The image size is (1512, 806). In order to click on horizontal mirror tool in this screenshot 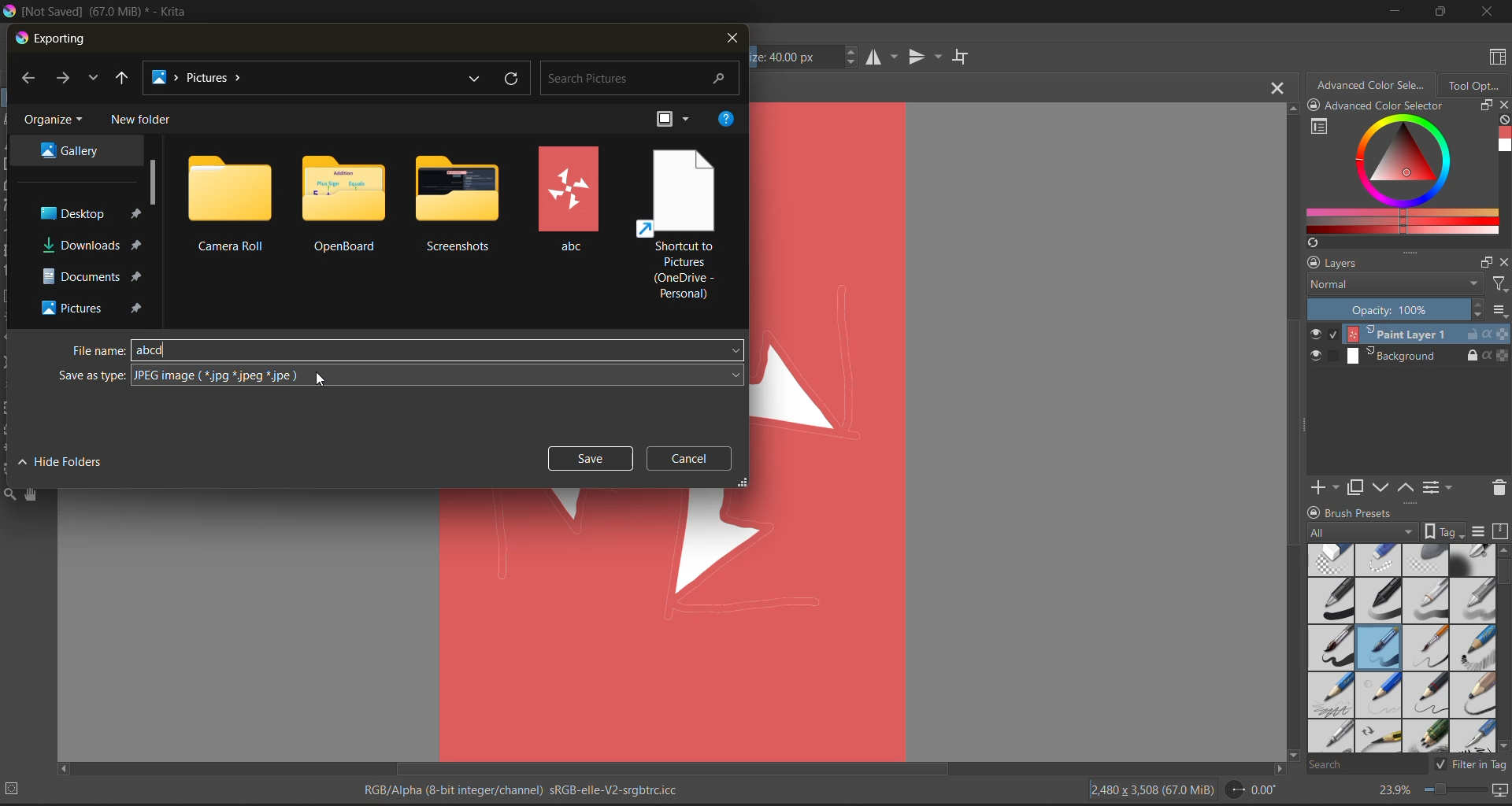, I will do `click(884, 58)`.